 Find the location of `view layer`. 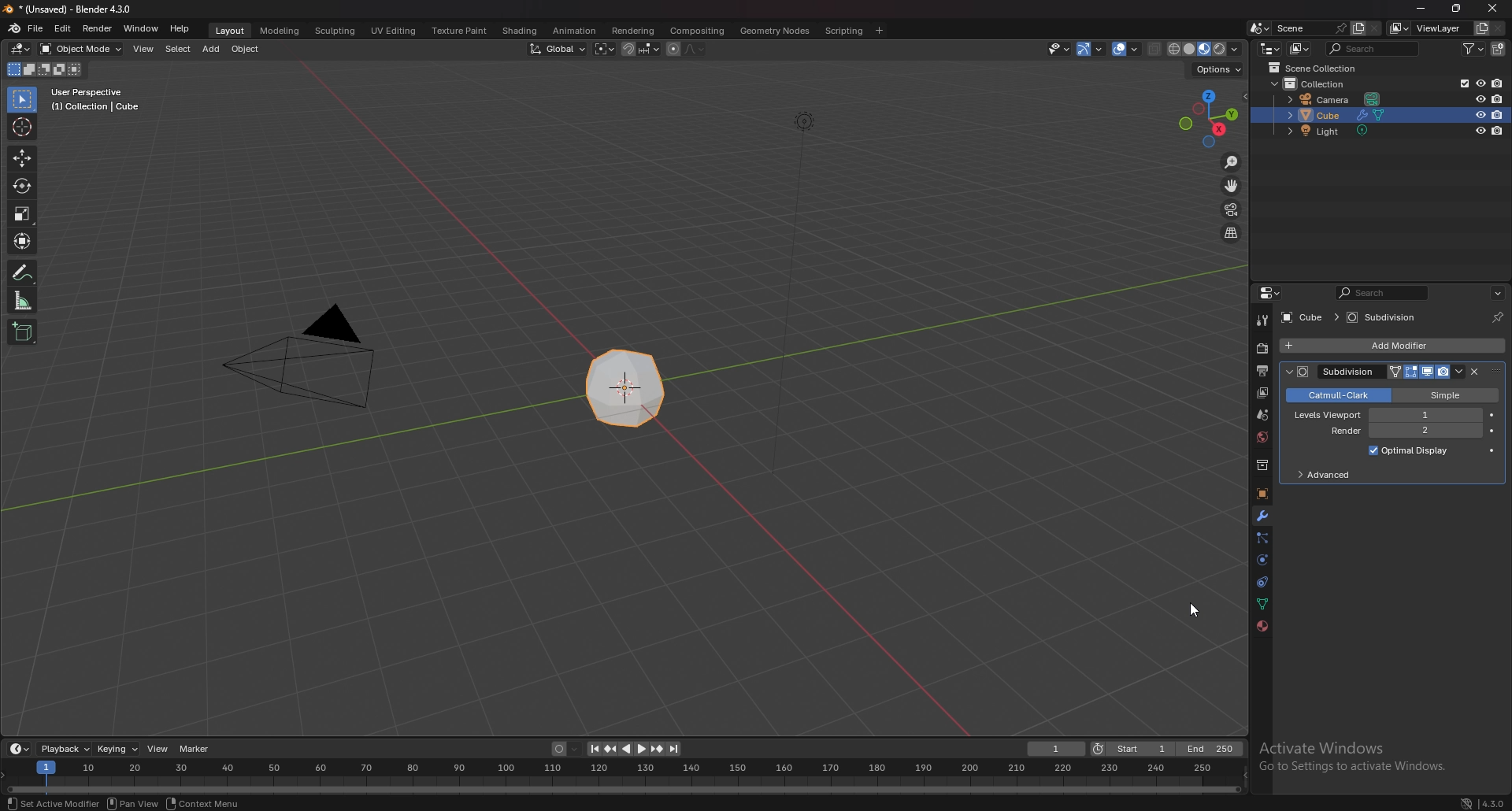

view layer is located at coordinates (1262, 392).